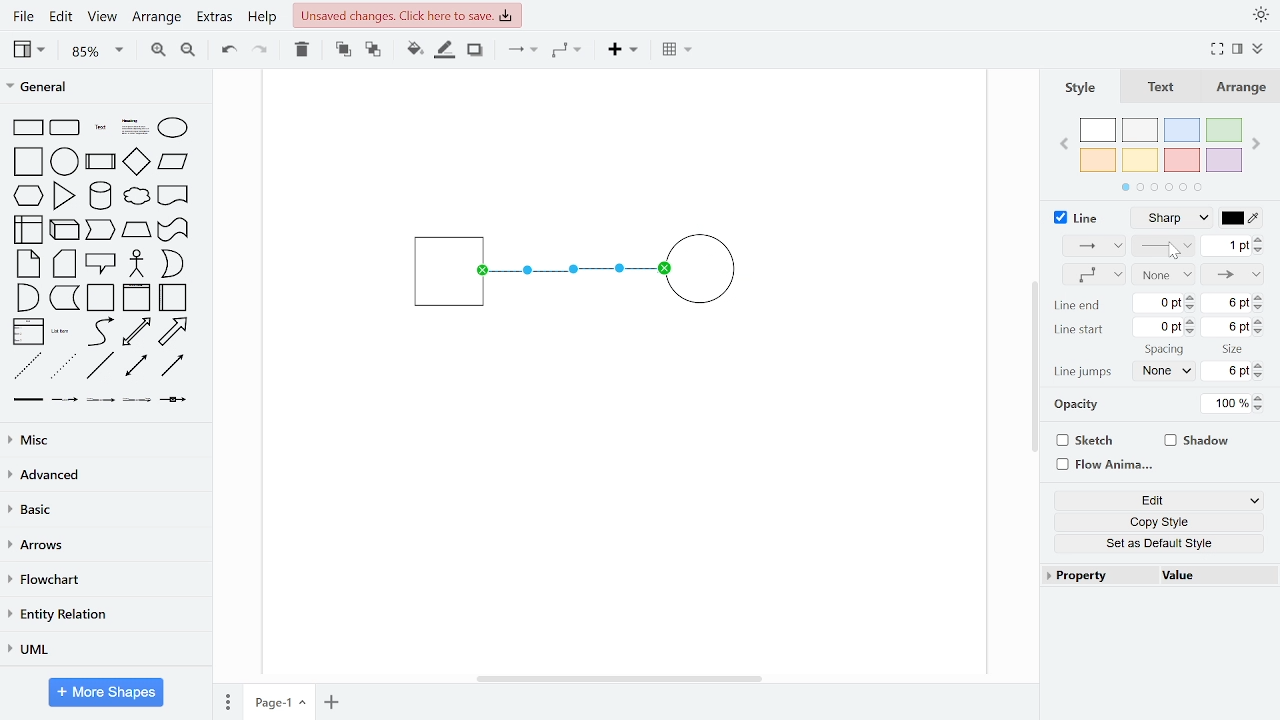  I want to click on rounded rectangle, so click(66, 129).